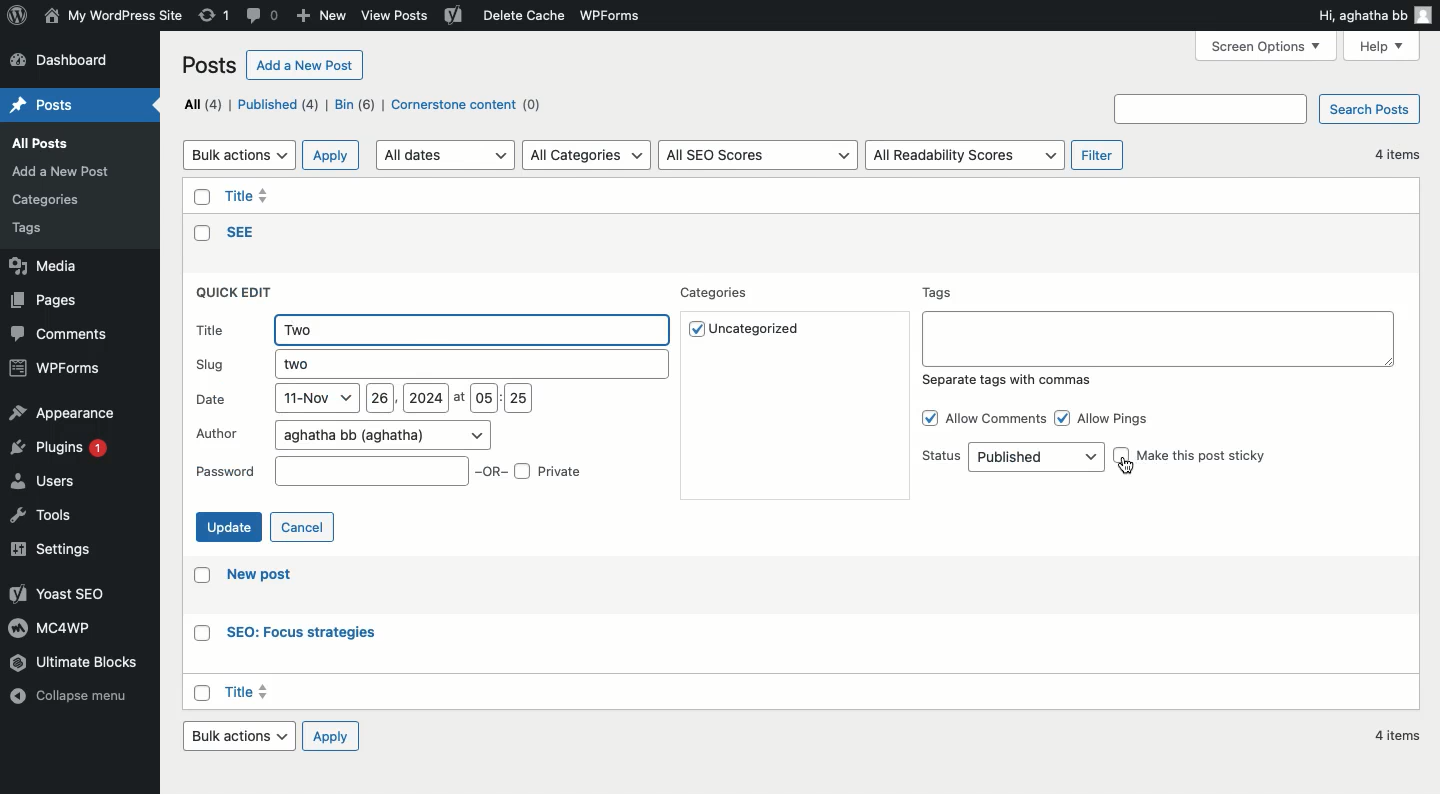  I want to click on Comments, so click(63, 334).